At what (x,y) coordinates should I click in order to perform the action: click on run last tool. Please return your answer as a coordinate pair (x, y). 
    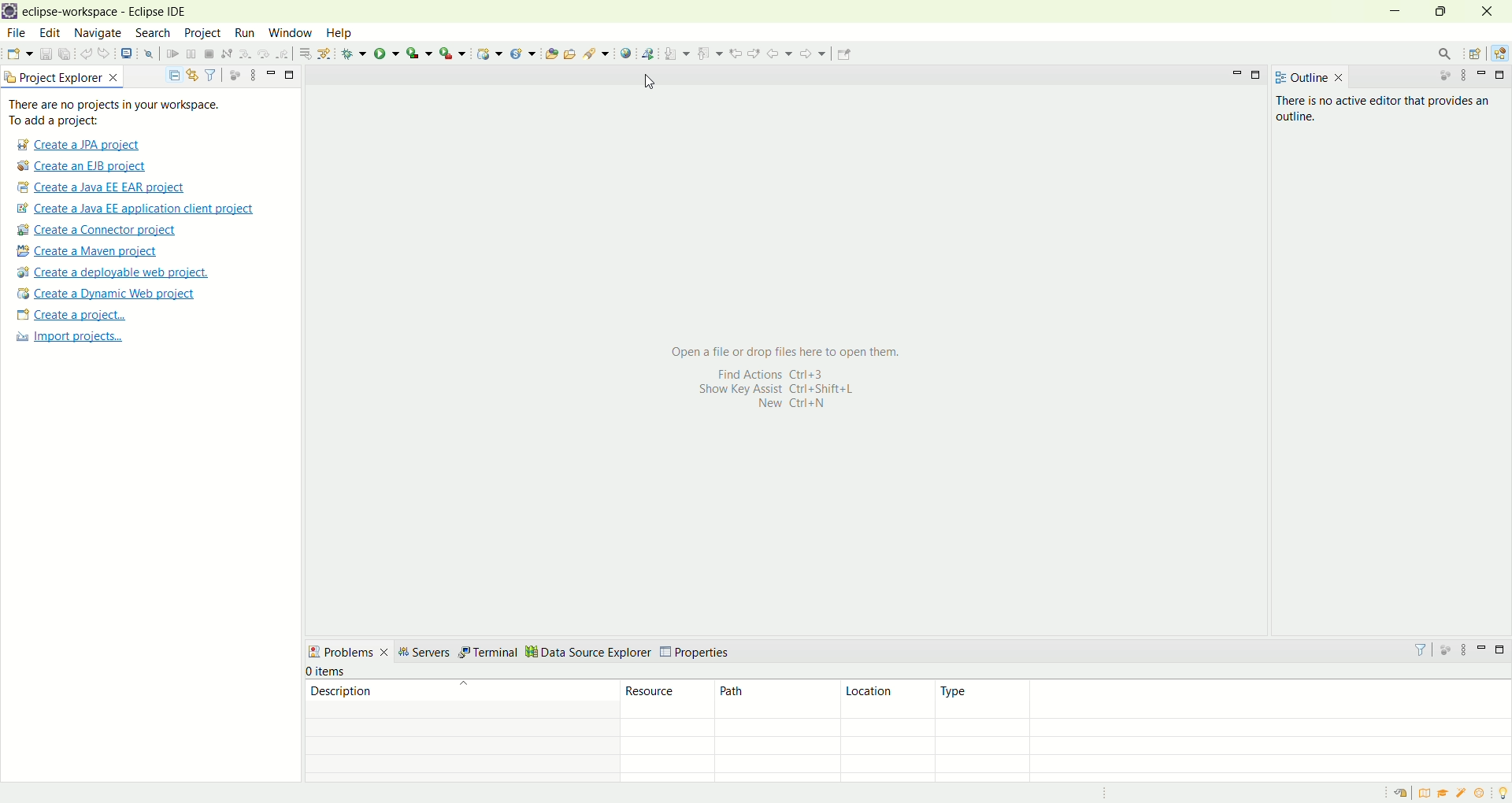
    Looking at the image, I should click on (454, 53).